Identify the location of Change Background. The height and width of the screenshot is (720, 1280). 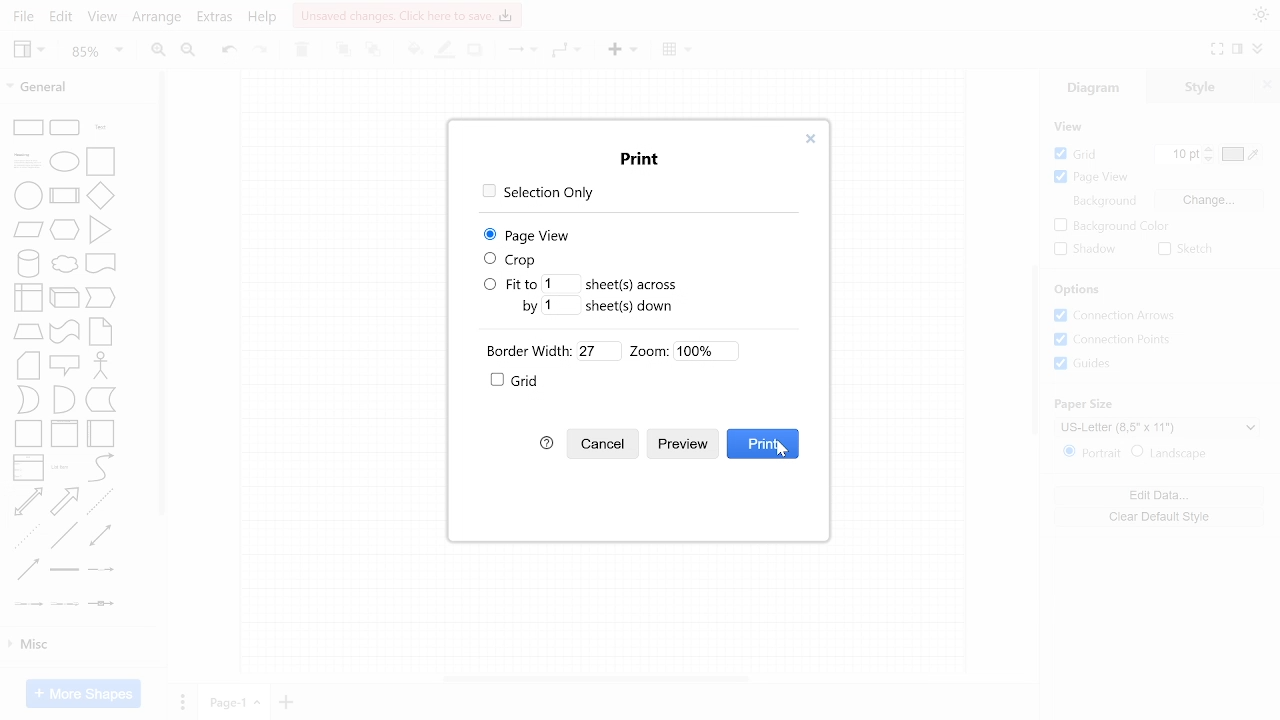
(1208, 200).